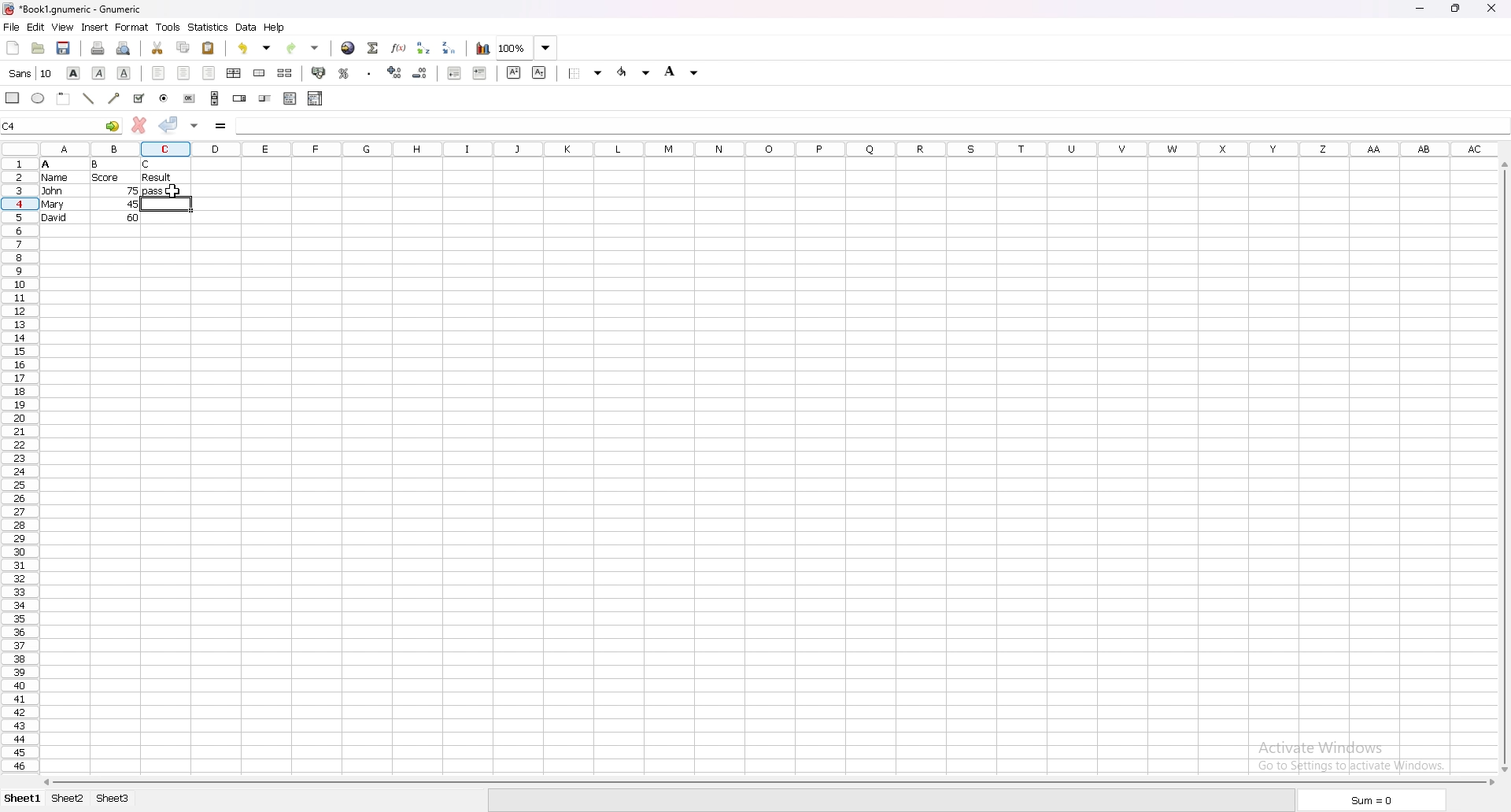  What do you see at coordinates (514, 72) in the screenshot?
I see `superscript` at bounding box center [514, 72].